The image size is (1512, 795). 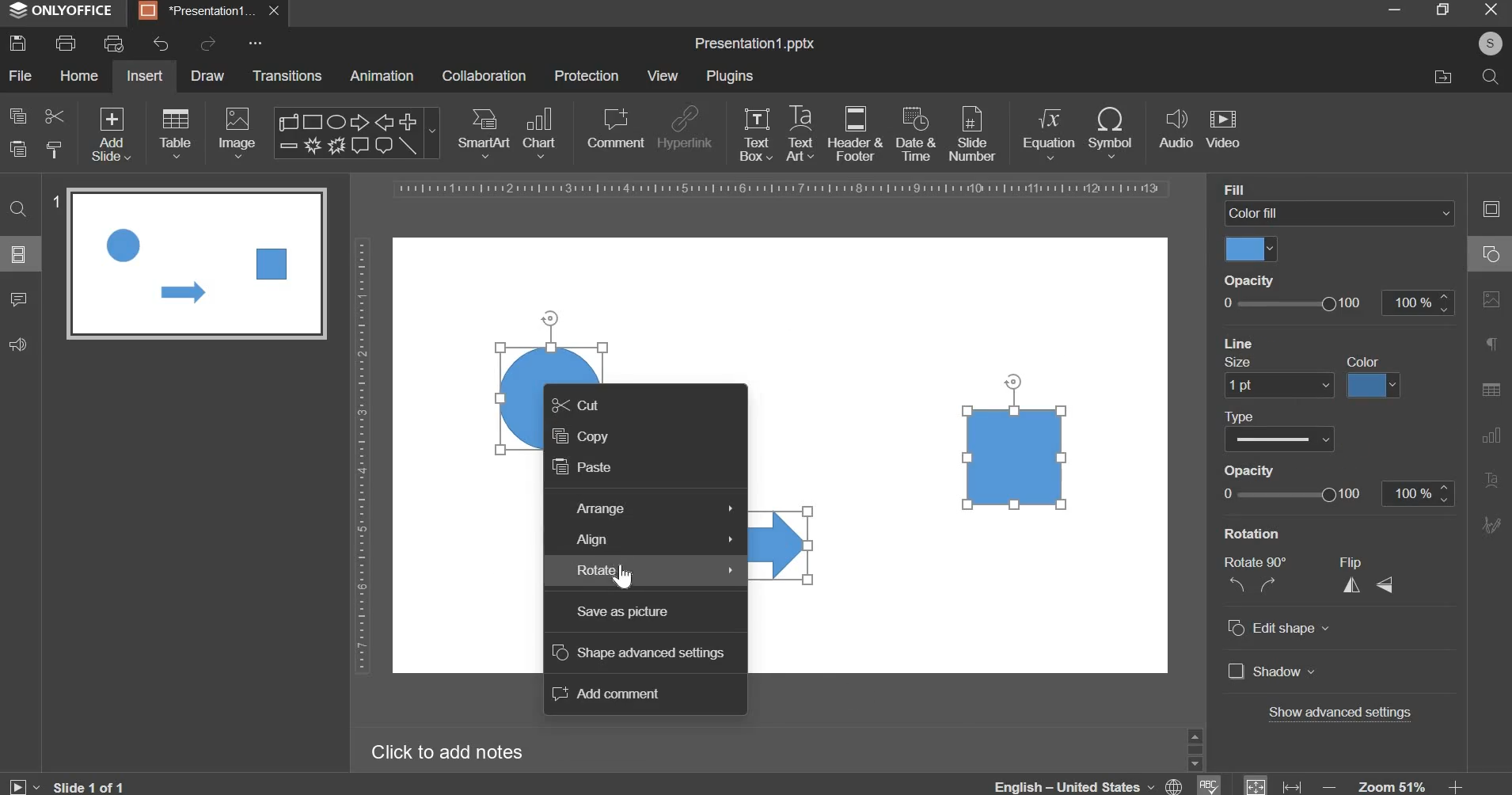 I want to click on slide setting, so click(x=1490, y=208).